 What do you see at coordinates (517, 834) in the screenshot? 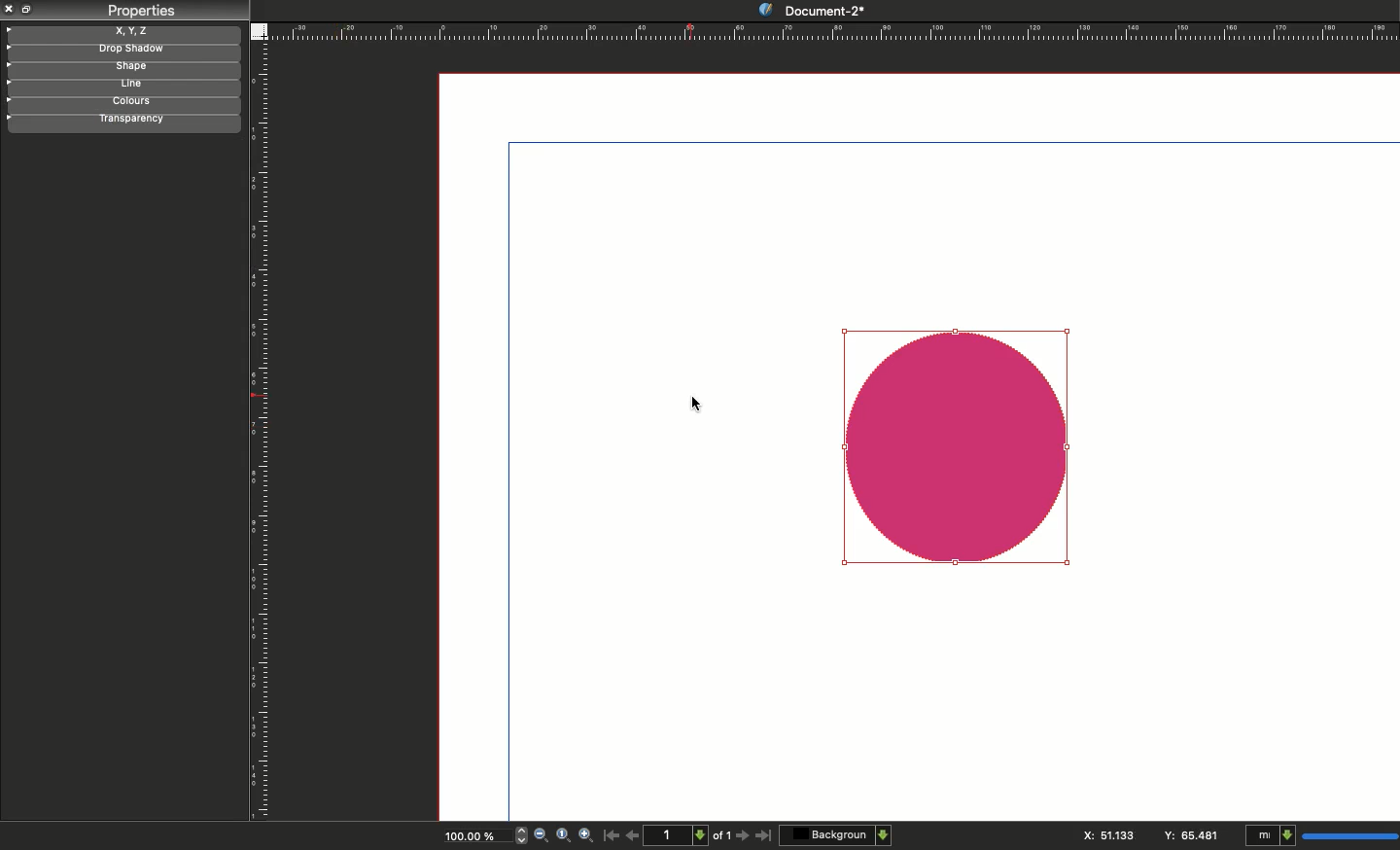
I see `zoom in and out` at bounding box center [517, 834].